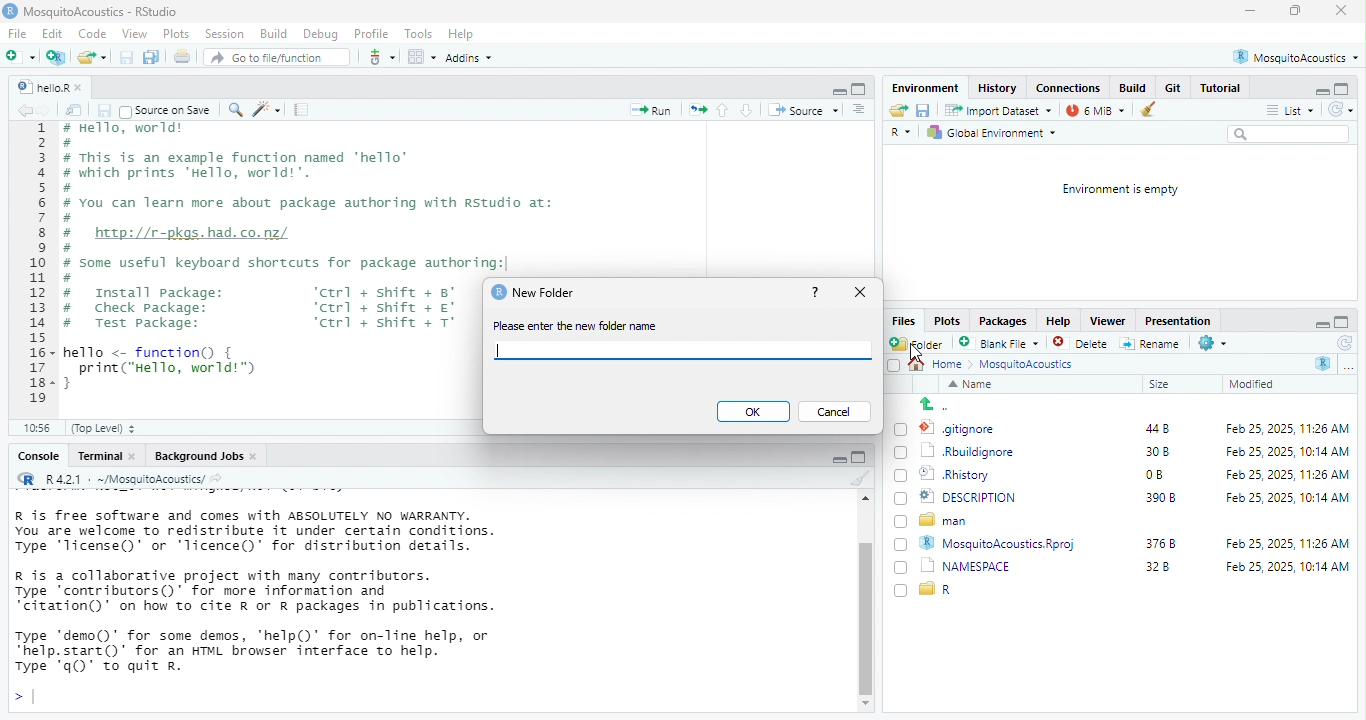 The height and width of the screenshot is (720, 1366). Describe the element at coordinates (861, 293) in the screenshot. I see `close` at that location.